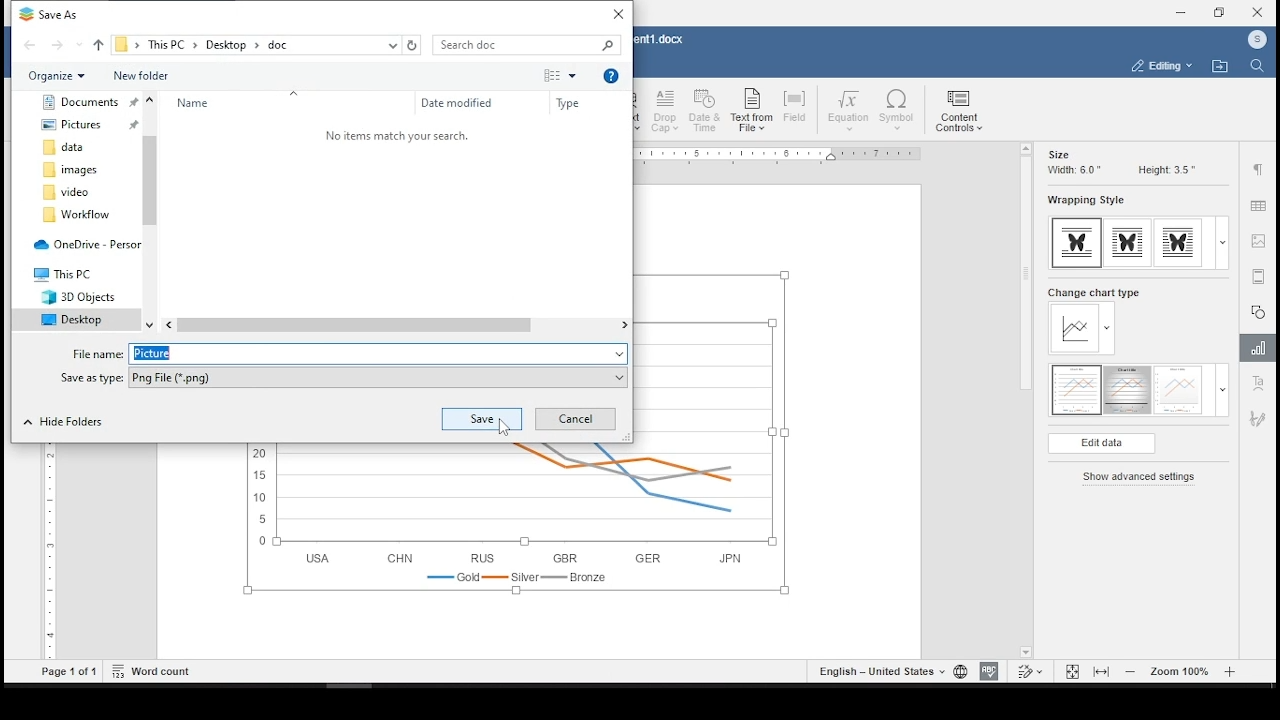  I want to click on Date modified, so click(459, 105).